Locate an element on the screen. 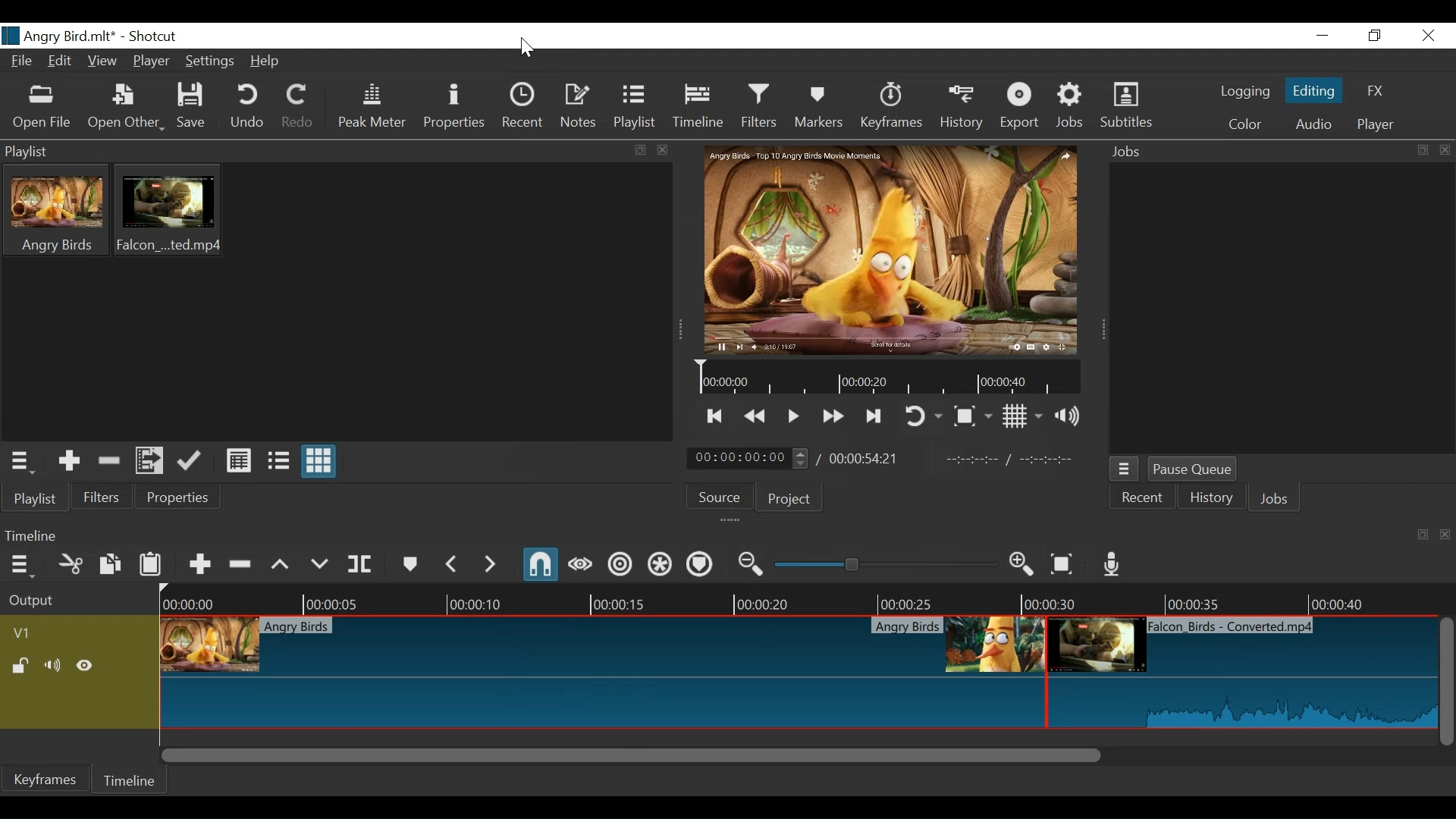 This screenshot has height=819, width=1456. Markers is located at coordinates (817, 107).